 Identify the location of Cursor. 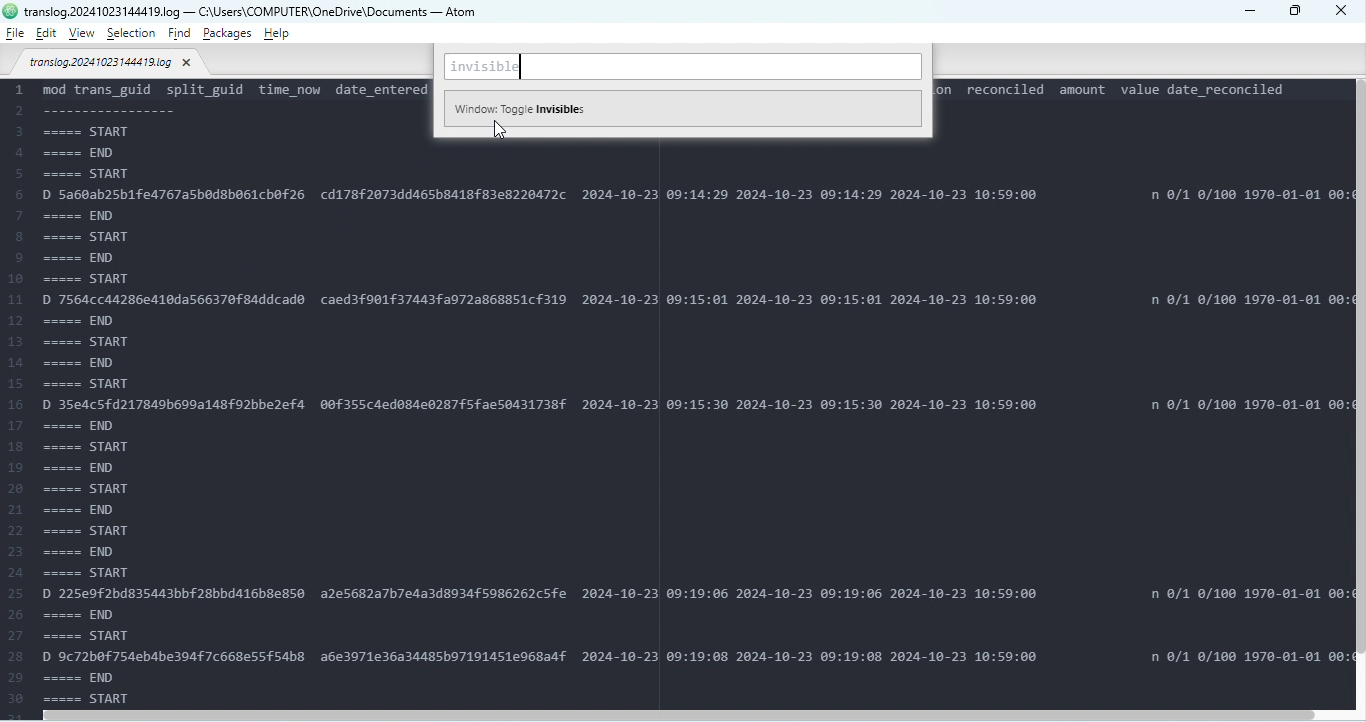
(498, 131).